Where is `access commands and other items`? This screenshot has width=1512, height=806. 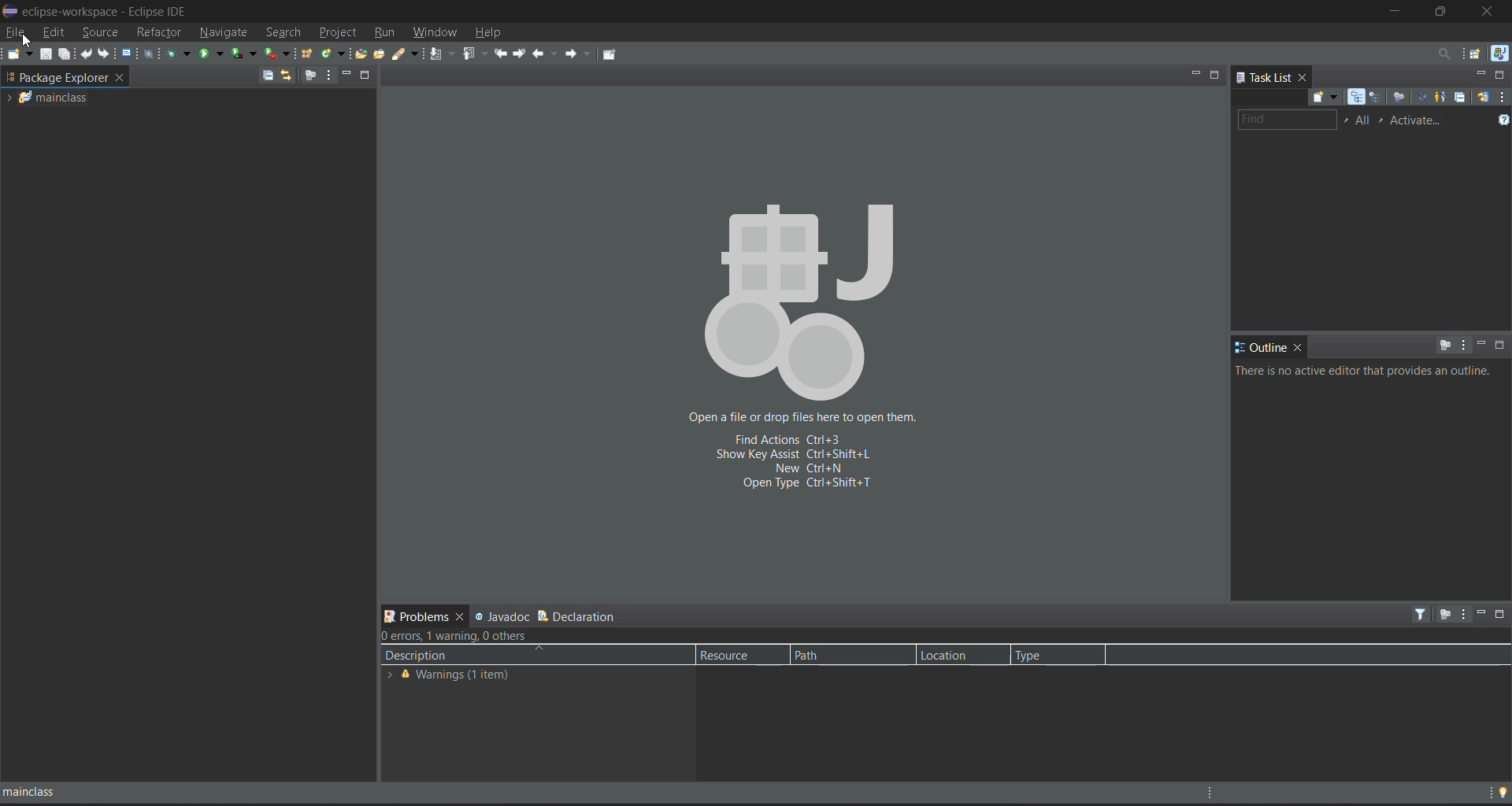
access commands and other items is located at coordinates (1440, 52).